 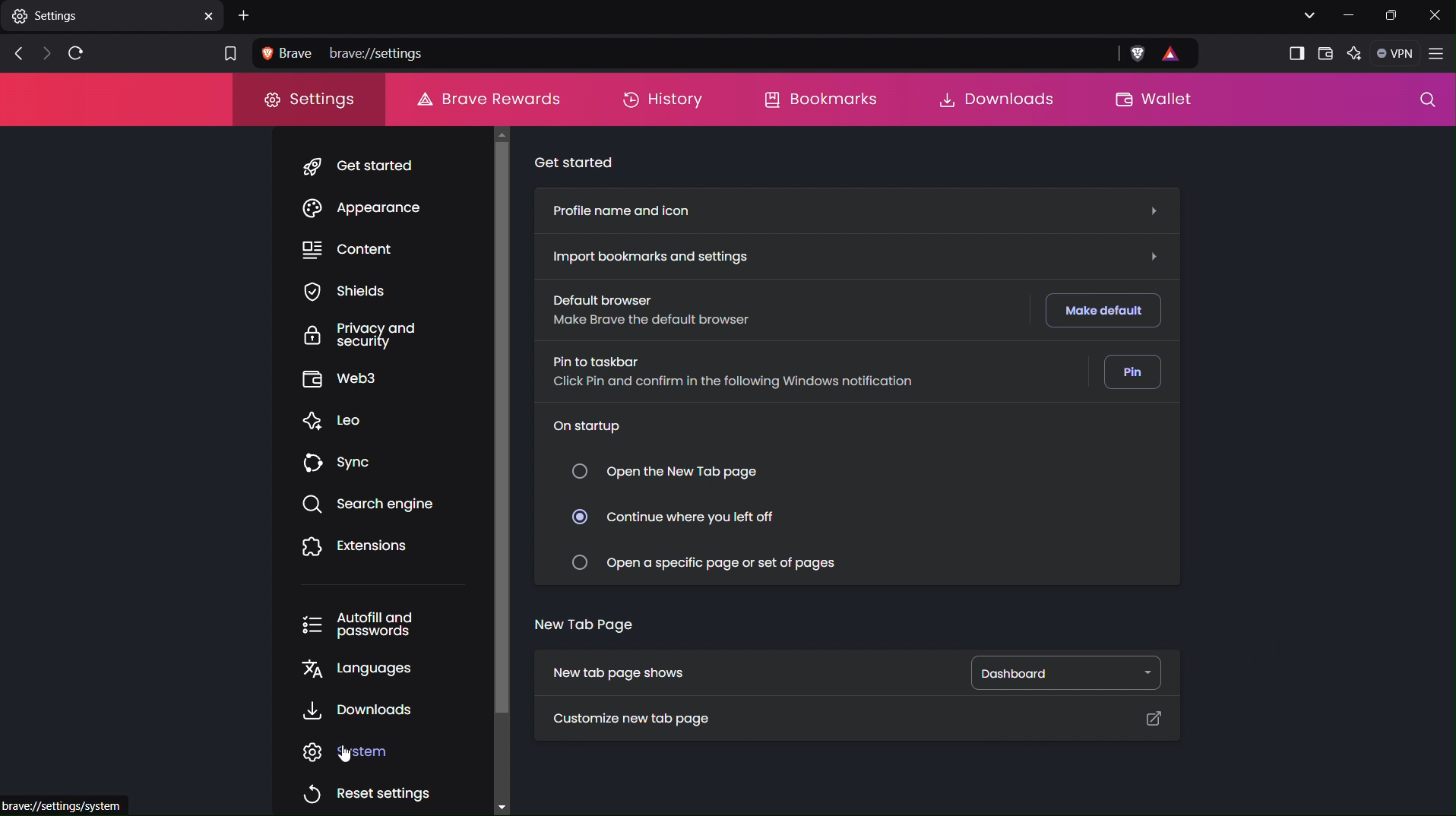 I want to click on Extensions, so click(x=350, y=547).